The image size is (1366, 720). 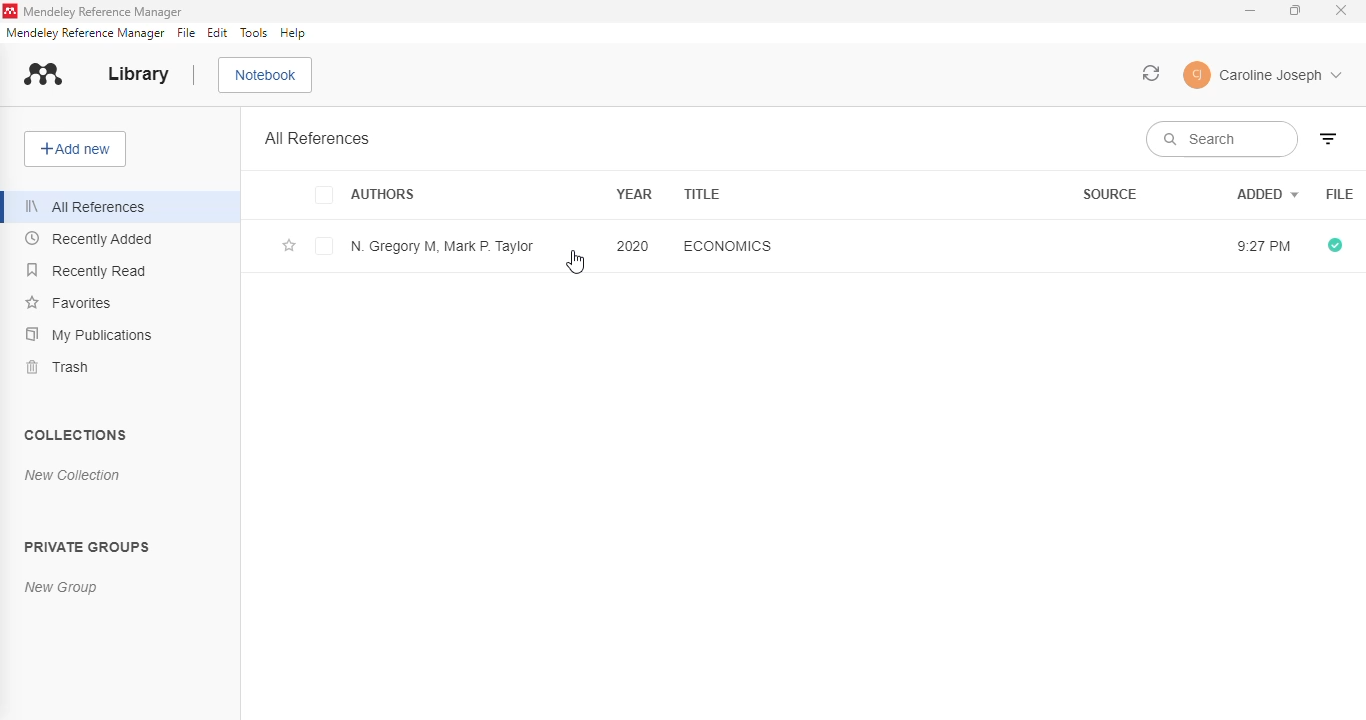 I want to click on favorites, so click(x=69, y=302).